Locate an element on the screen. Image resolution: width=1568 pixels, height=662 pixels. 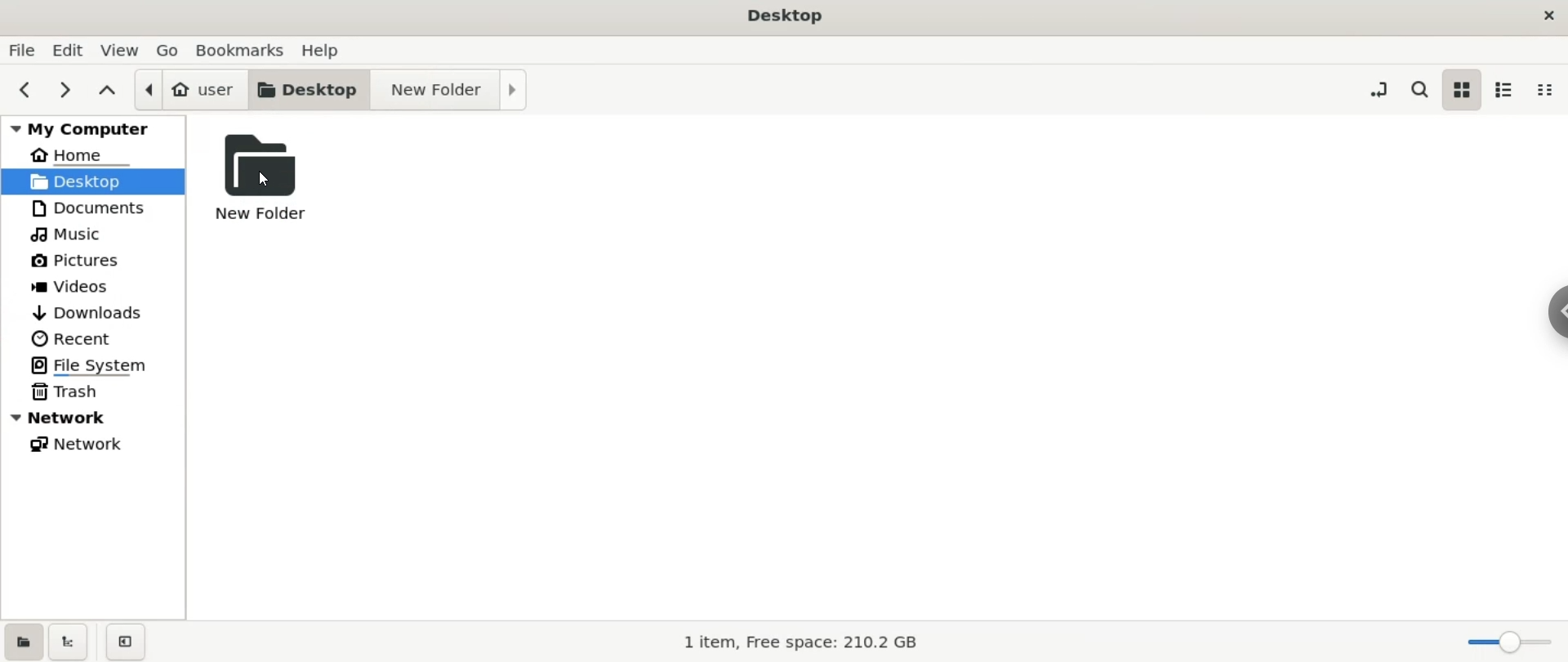
desktop is located at coordinates (91, 182).